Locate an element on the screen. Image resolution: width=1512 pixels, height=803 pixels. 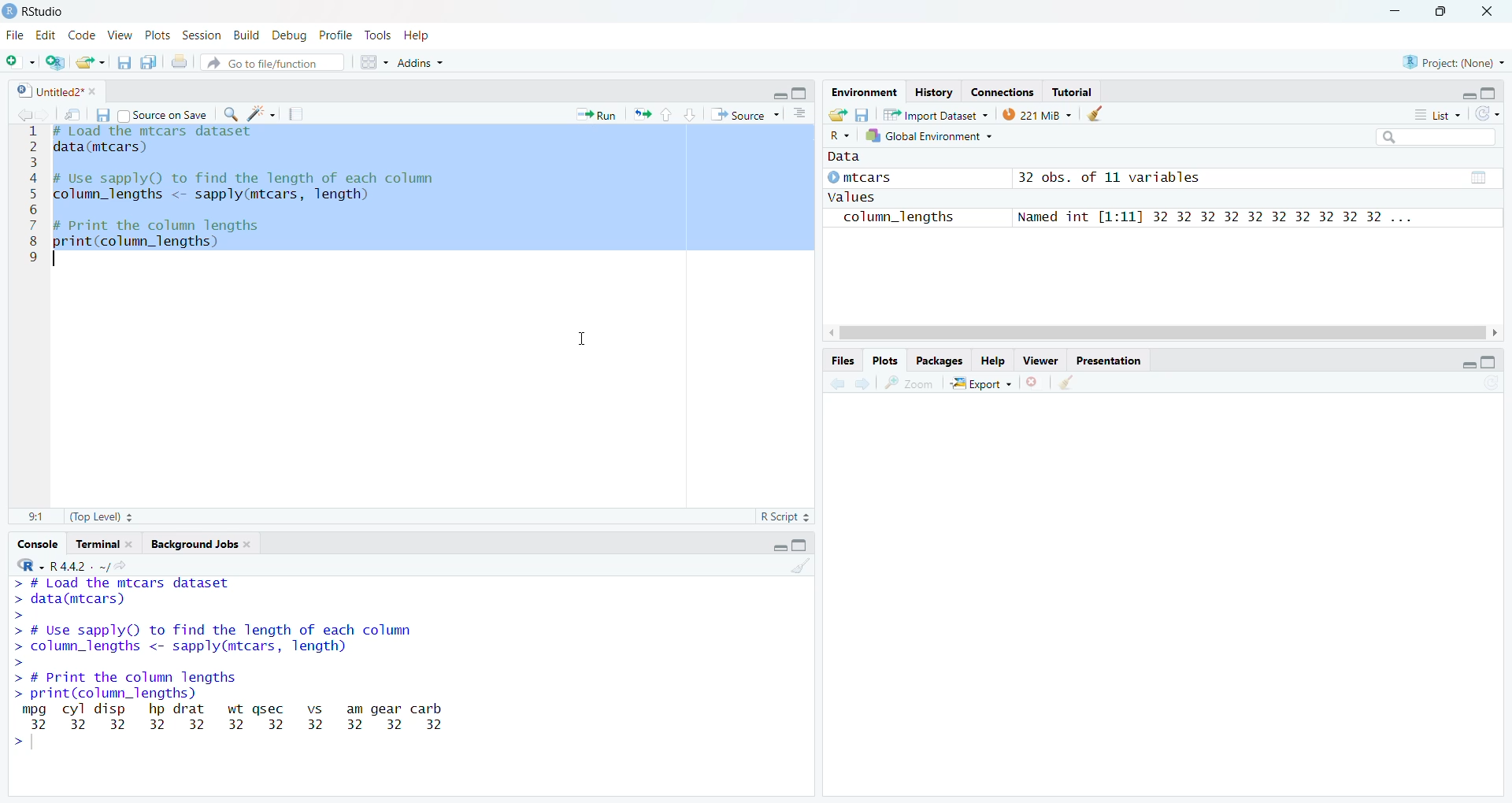
Refresh list is located at coordinates (1488, 115).